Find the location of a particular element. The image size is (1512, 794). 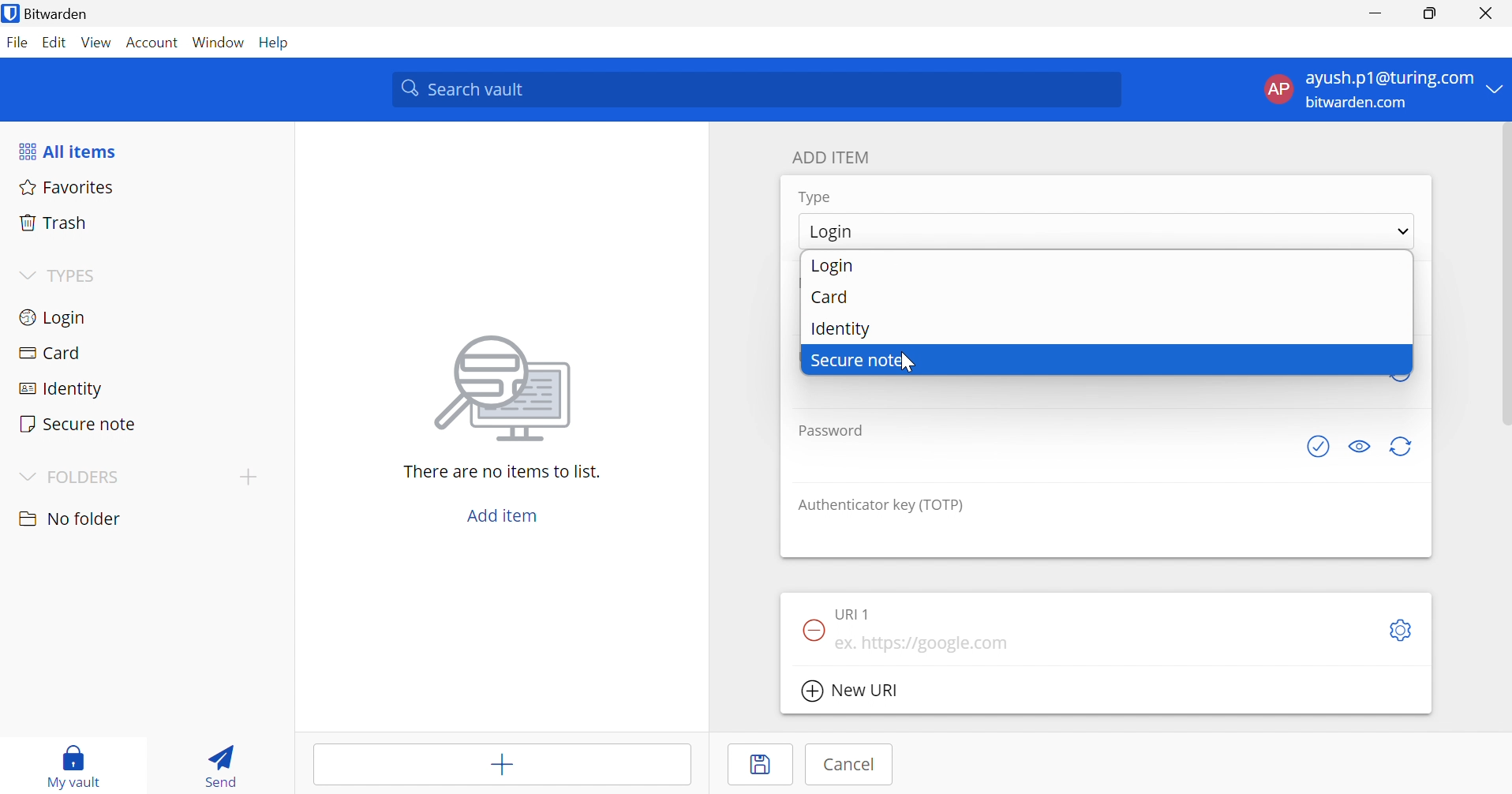

Toggle options is located at coordinates (1404, 629).